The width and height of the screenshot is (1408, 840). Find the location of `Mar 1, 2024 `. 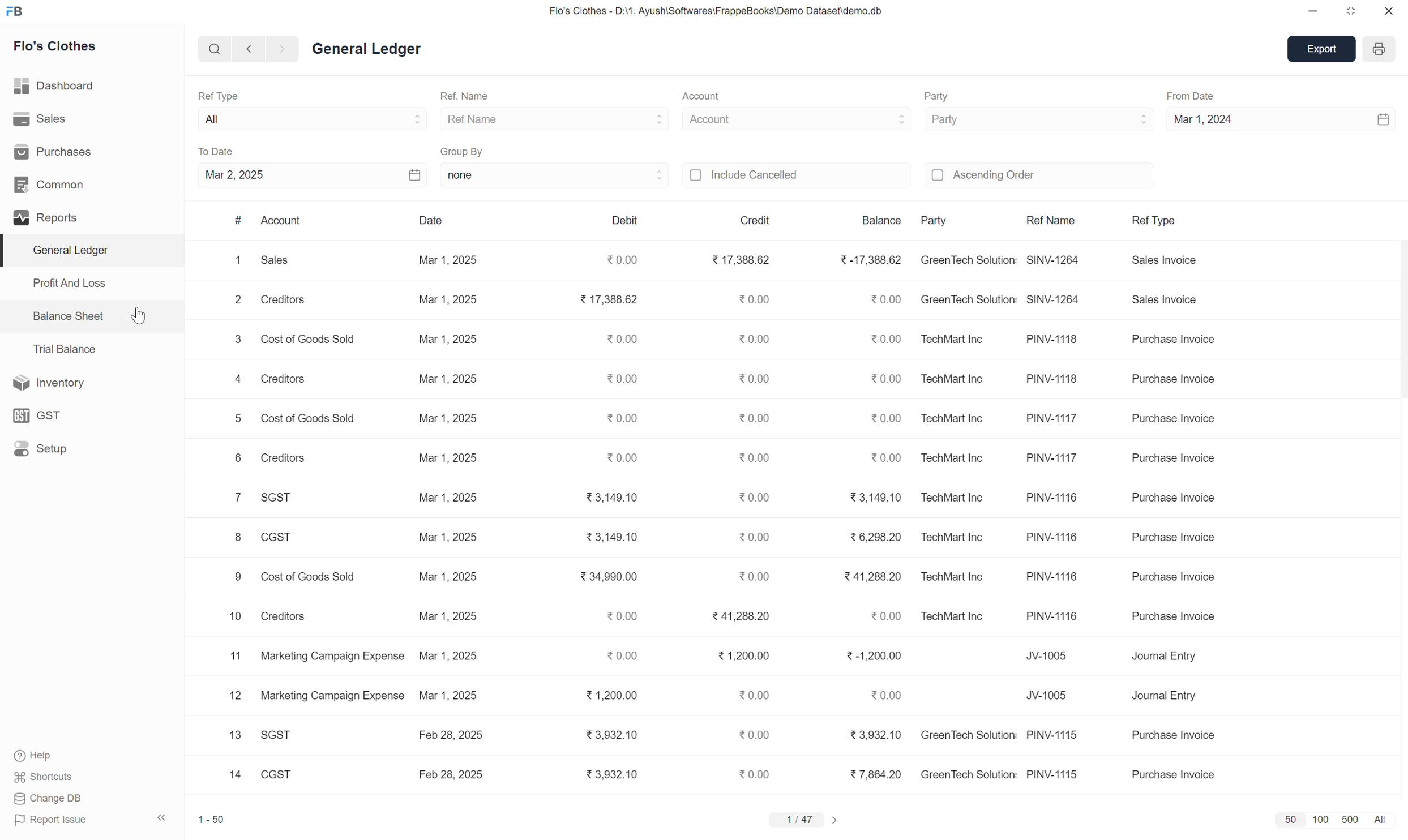

Mar 1, 2024  is located at coordinates (1280, 119).